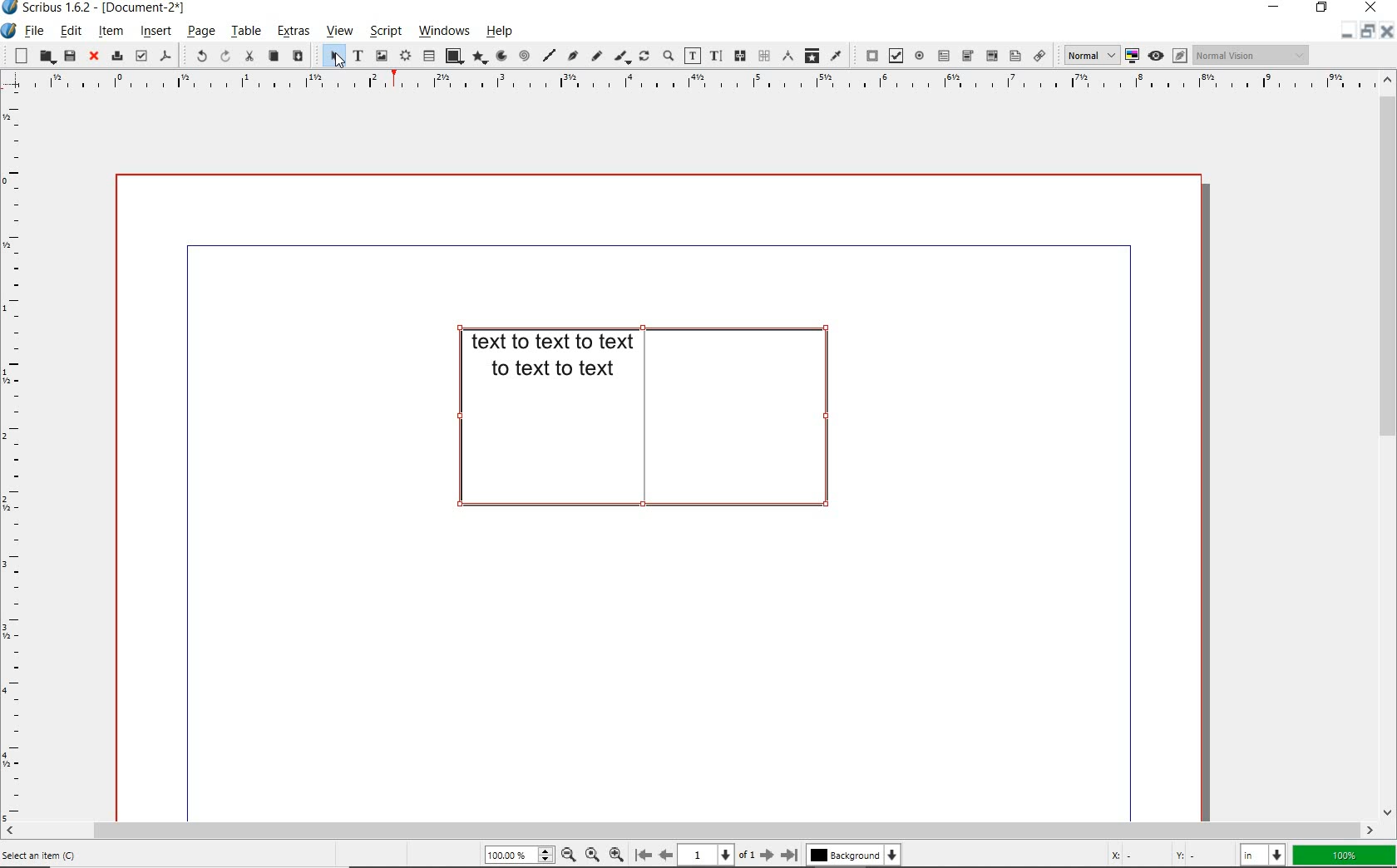 The height and width of the screenshot is (868, 1397). Describe the element at coordinates (990, 55) in the screenshot. I see `pdf combo box` at that location.